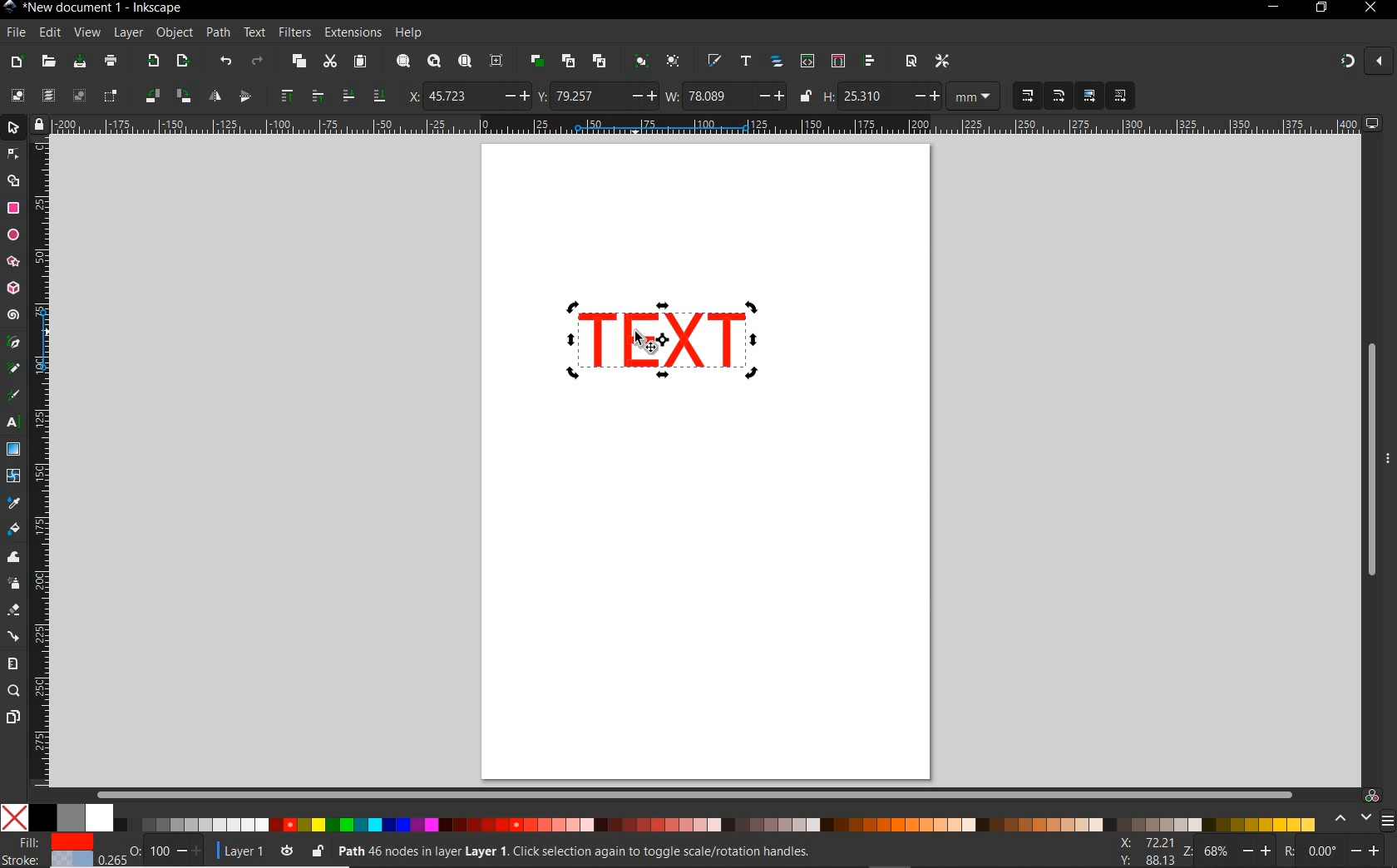  Describe the element at coordinates (13, 369) in the screenshot. I see `PENCIL TOOL` at that location.